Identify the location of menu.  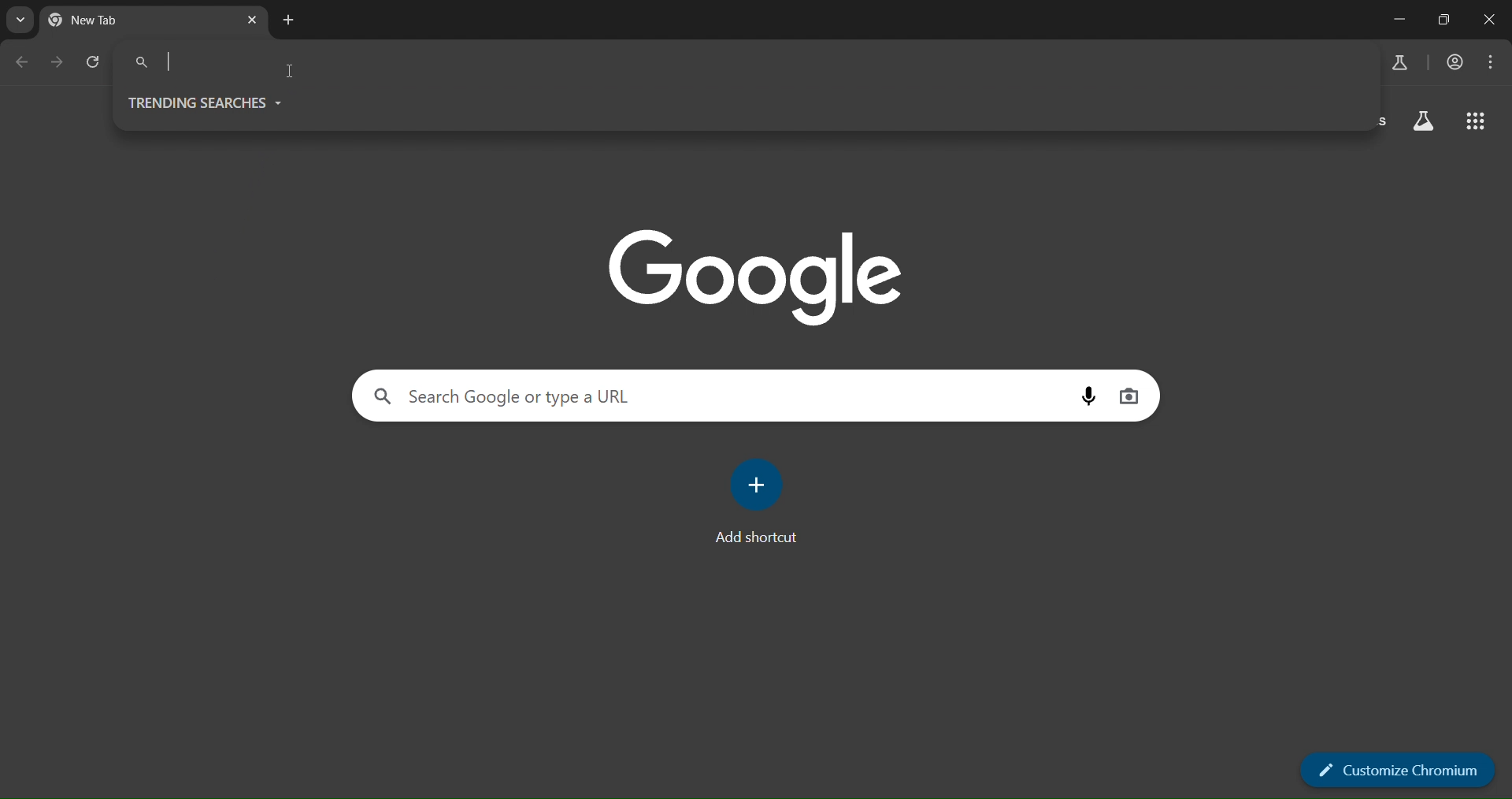
(1489, 62).